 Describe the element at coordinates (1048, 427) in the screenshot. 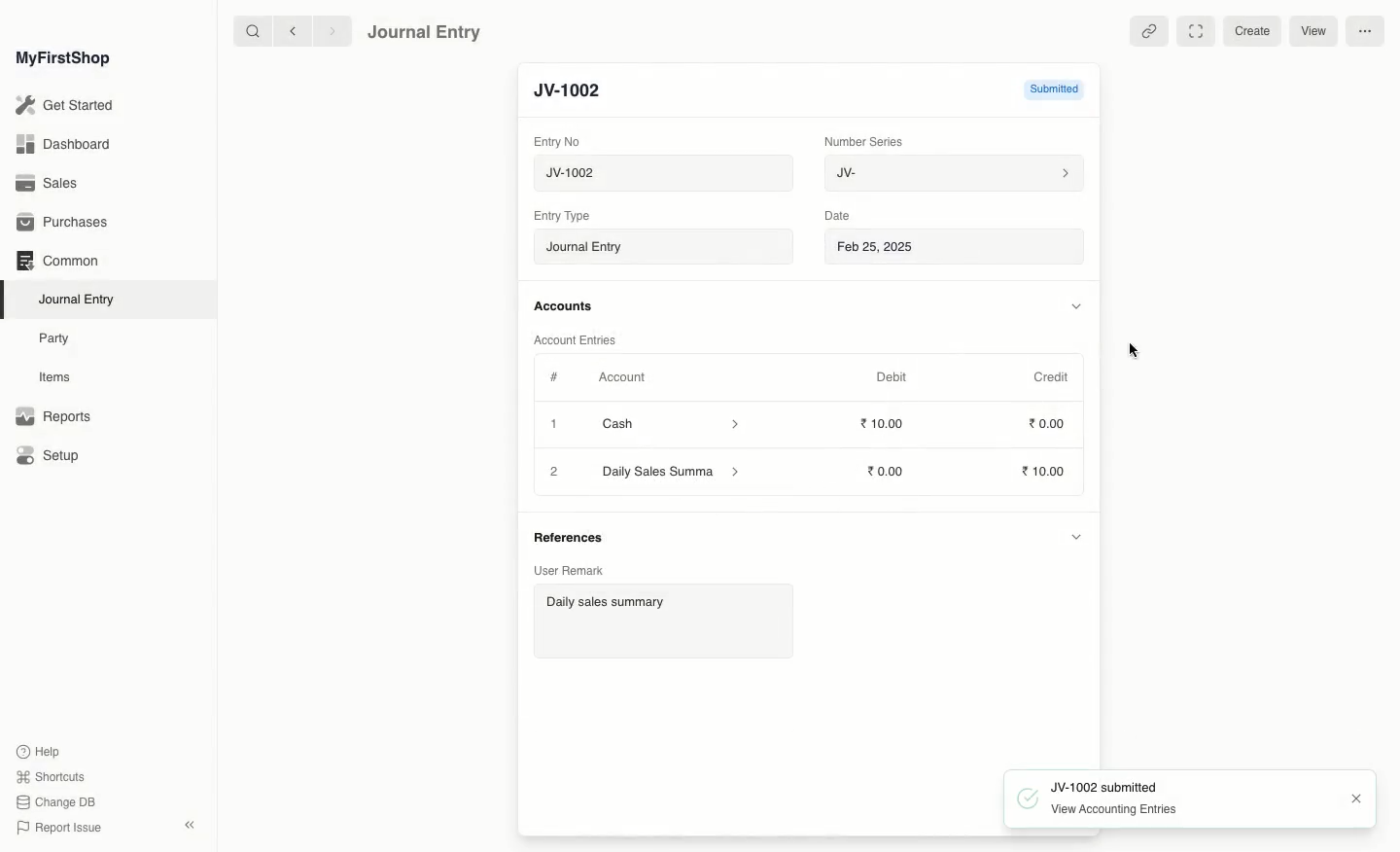

I see `0.00` at that location.